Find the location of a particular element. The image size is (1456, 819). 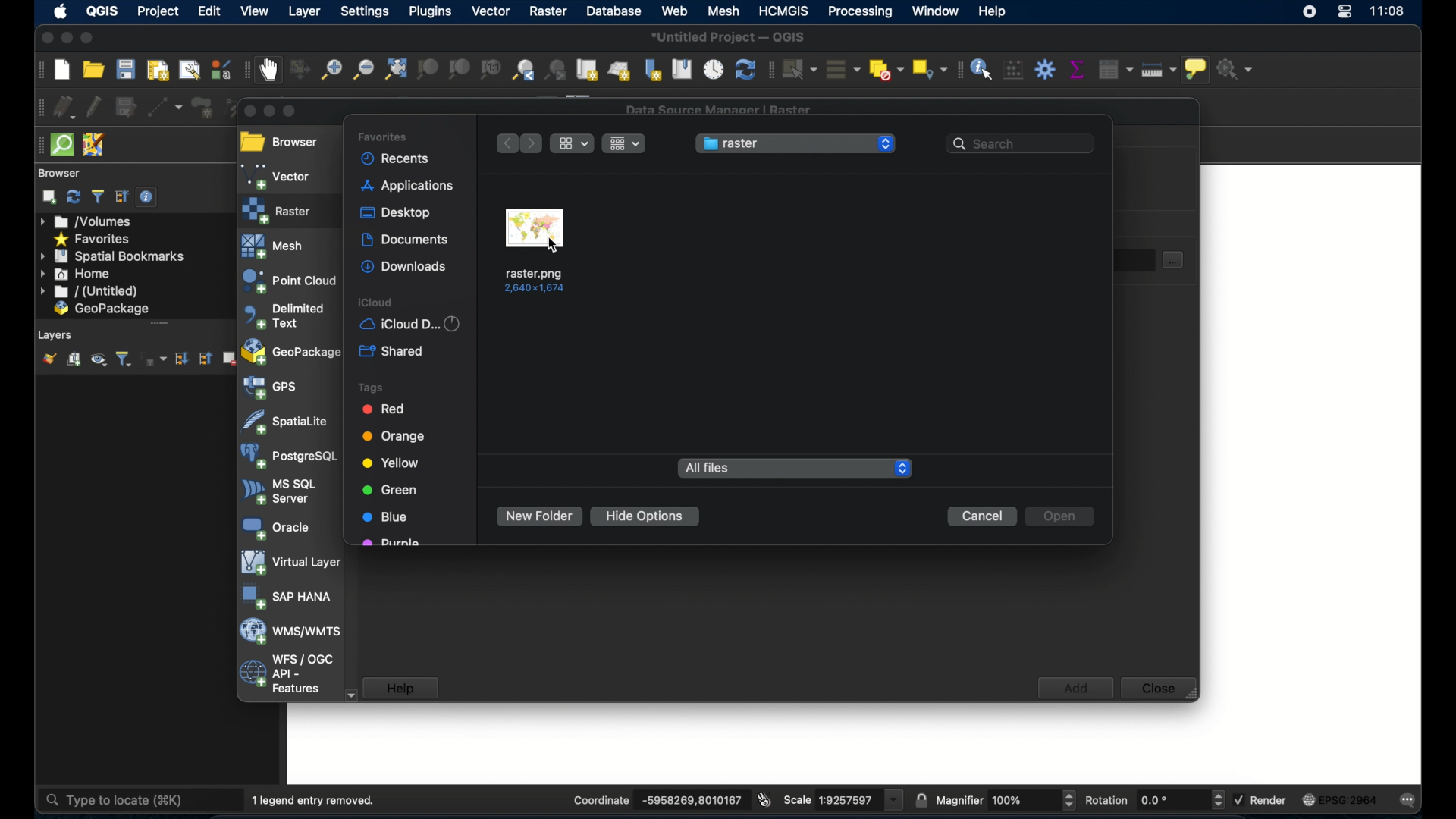

Dimensions  is located at coordinates (535, 288).